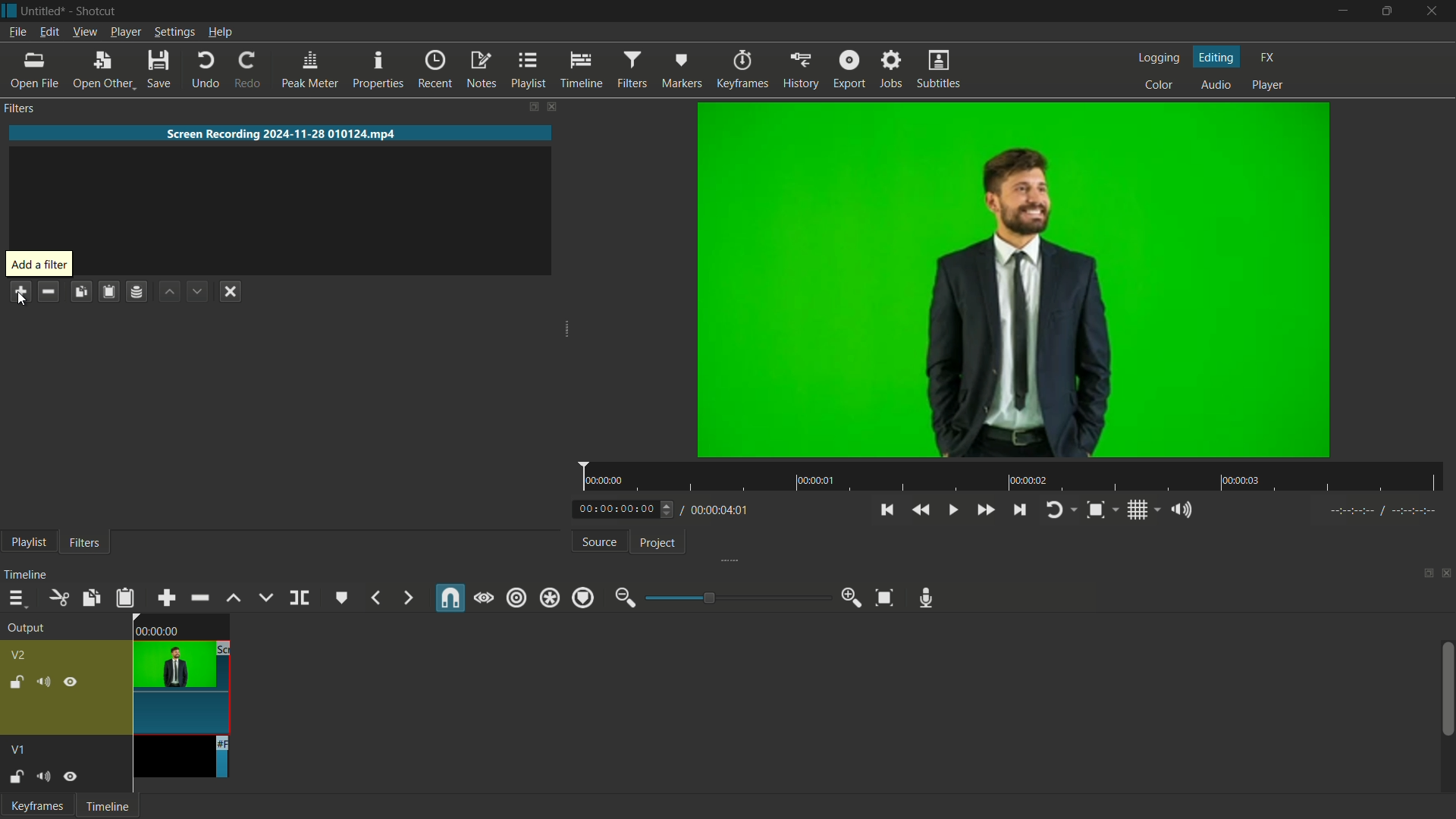 Image resolution: width=1456 pixels, height=819 pixels. What do you see at coordinates (20, 291) in the screenshot?
I see `add filter` at bounding box center [20, 291].